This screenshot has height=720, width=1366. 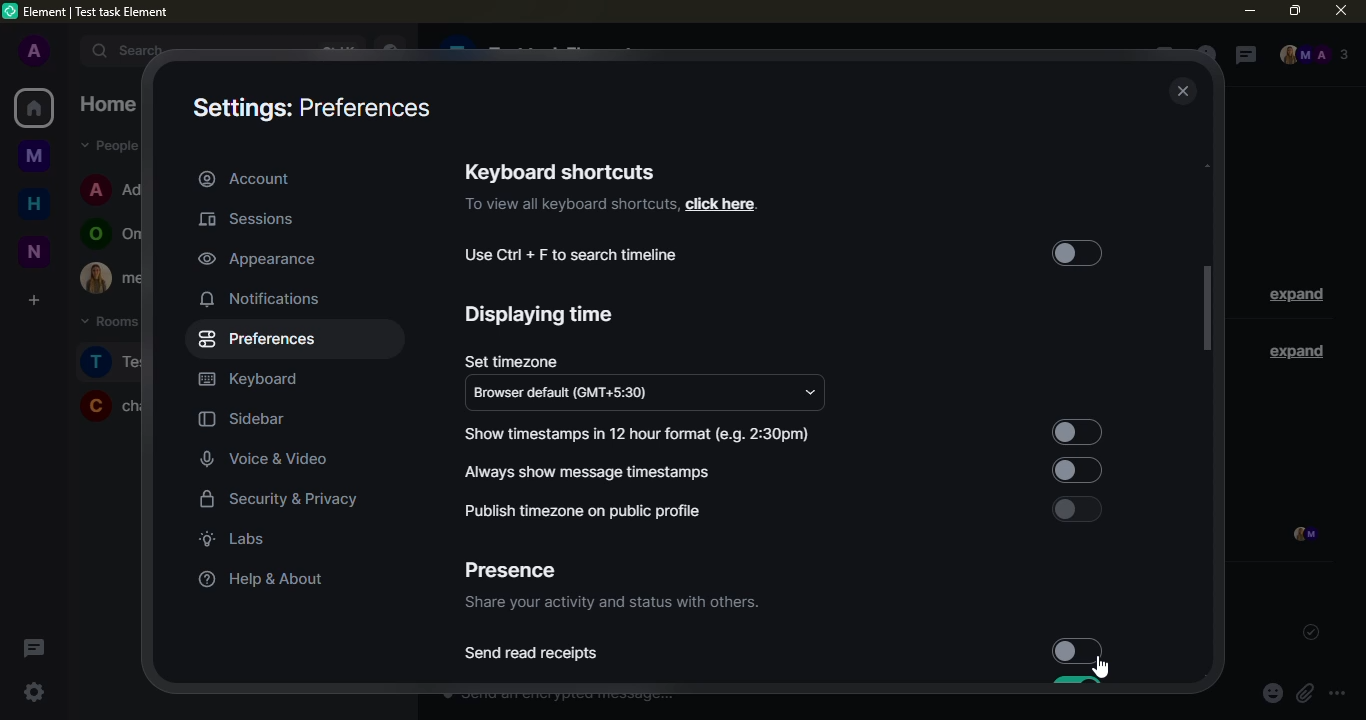 I want to click on minimize, so click(x=1249, y=11).